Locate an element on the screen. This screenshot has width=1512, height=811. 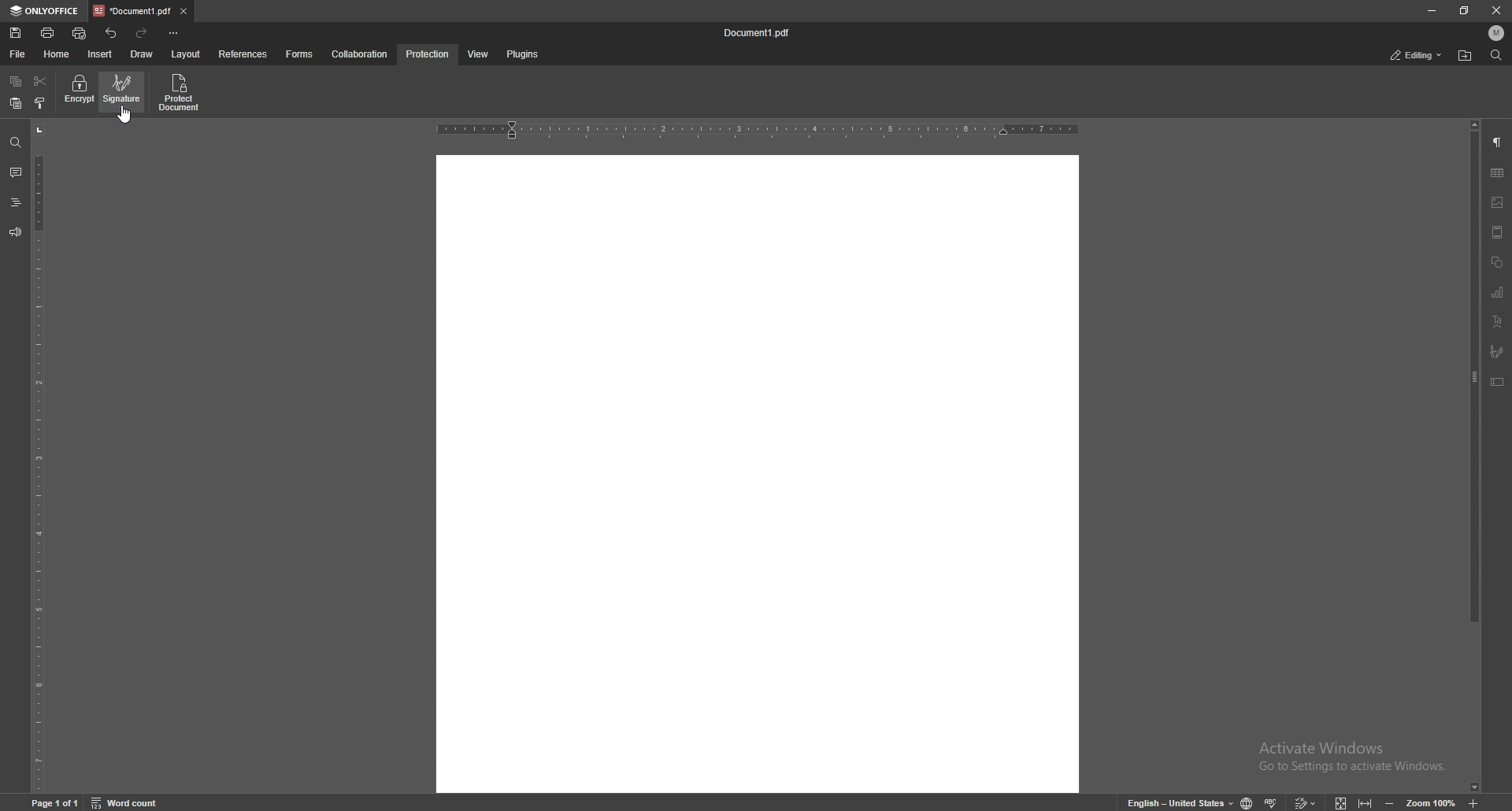
horizontal scale is located at coordinates (758, 131).